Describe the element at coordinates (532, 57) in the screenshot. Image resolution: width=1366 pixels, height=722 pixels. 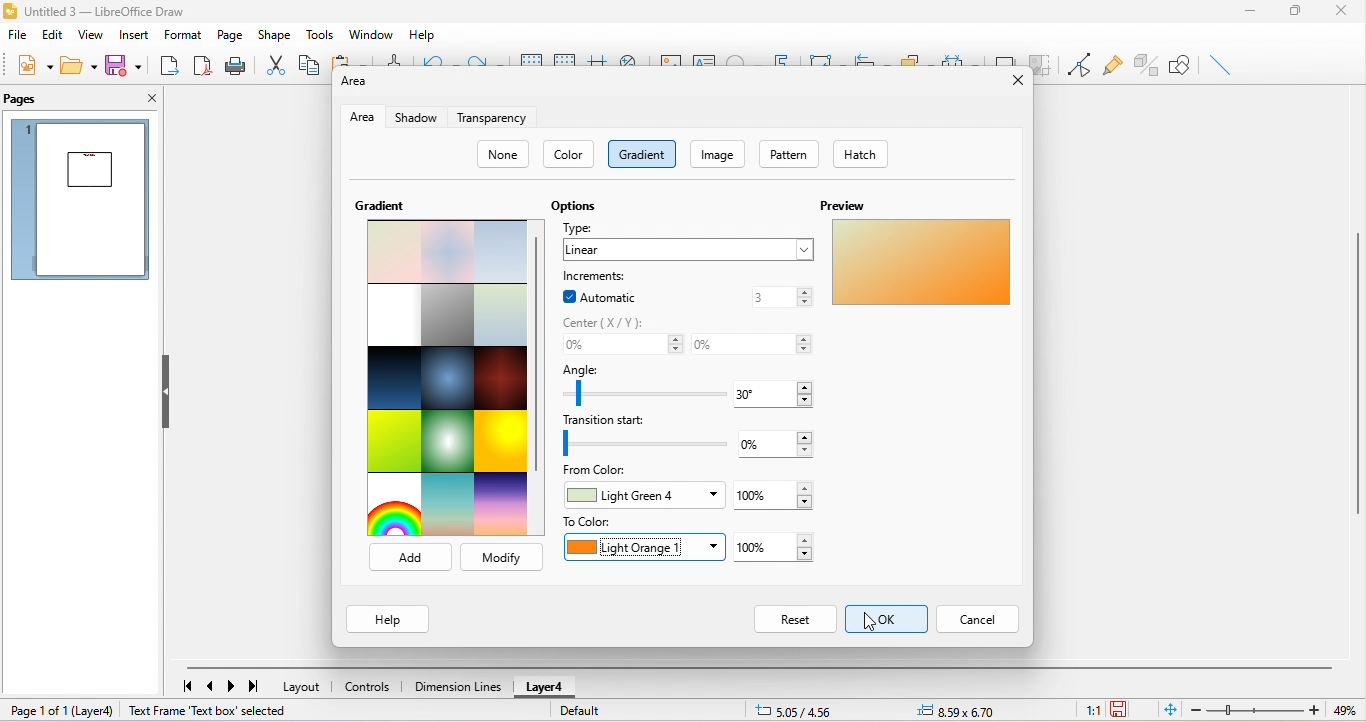
I see `display to grids` at that location.